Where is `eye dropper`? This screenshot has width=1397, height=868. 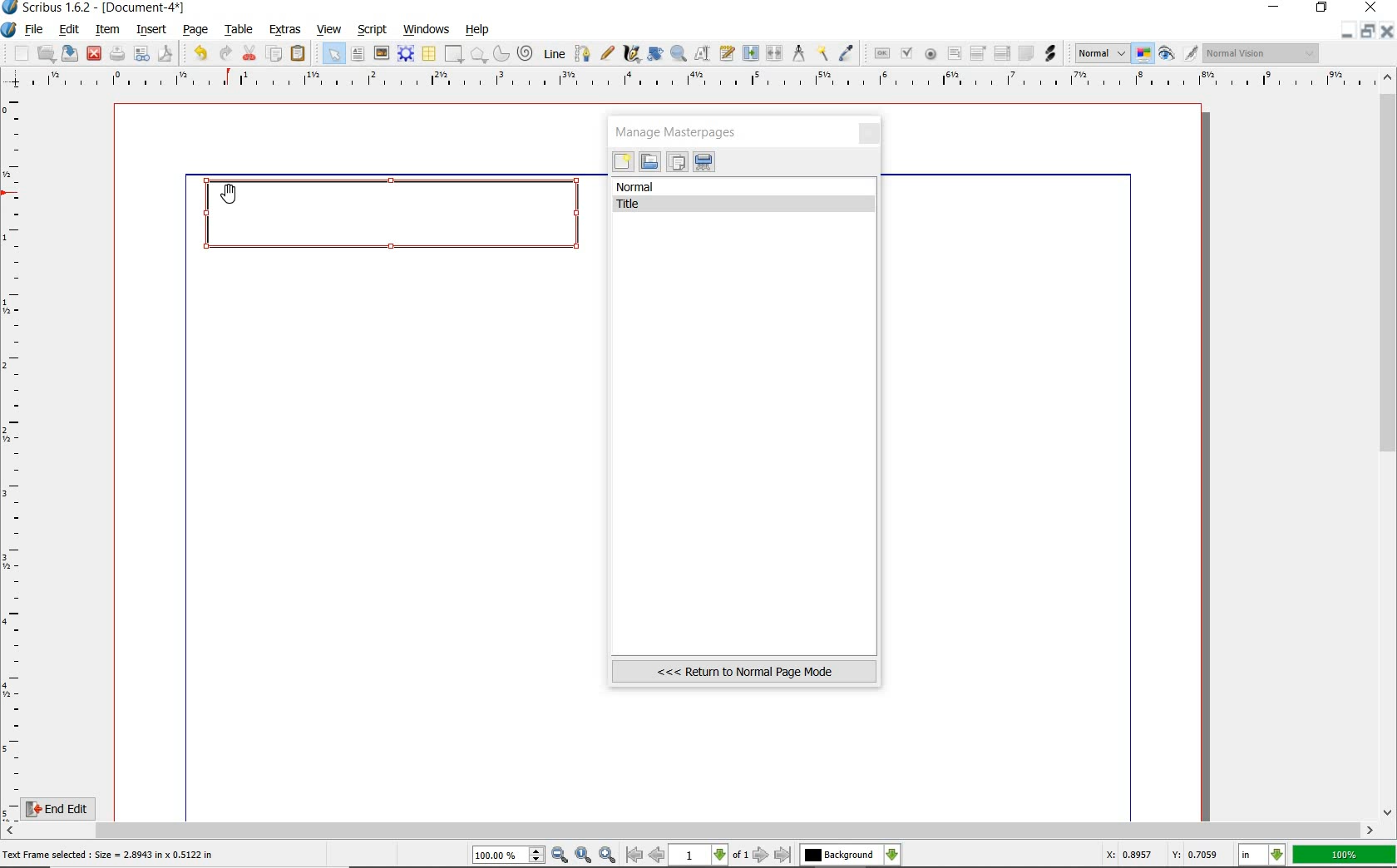 eye dropper is located at coordinates (847, 53).